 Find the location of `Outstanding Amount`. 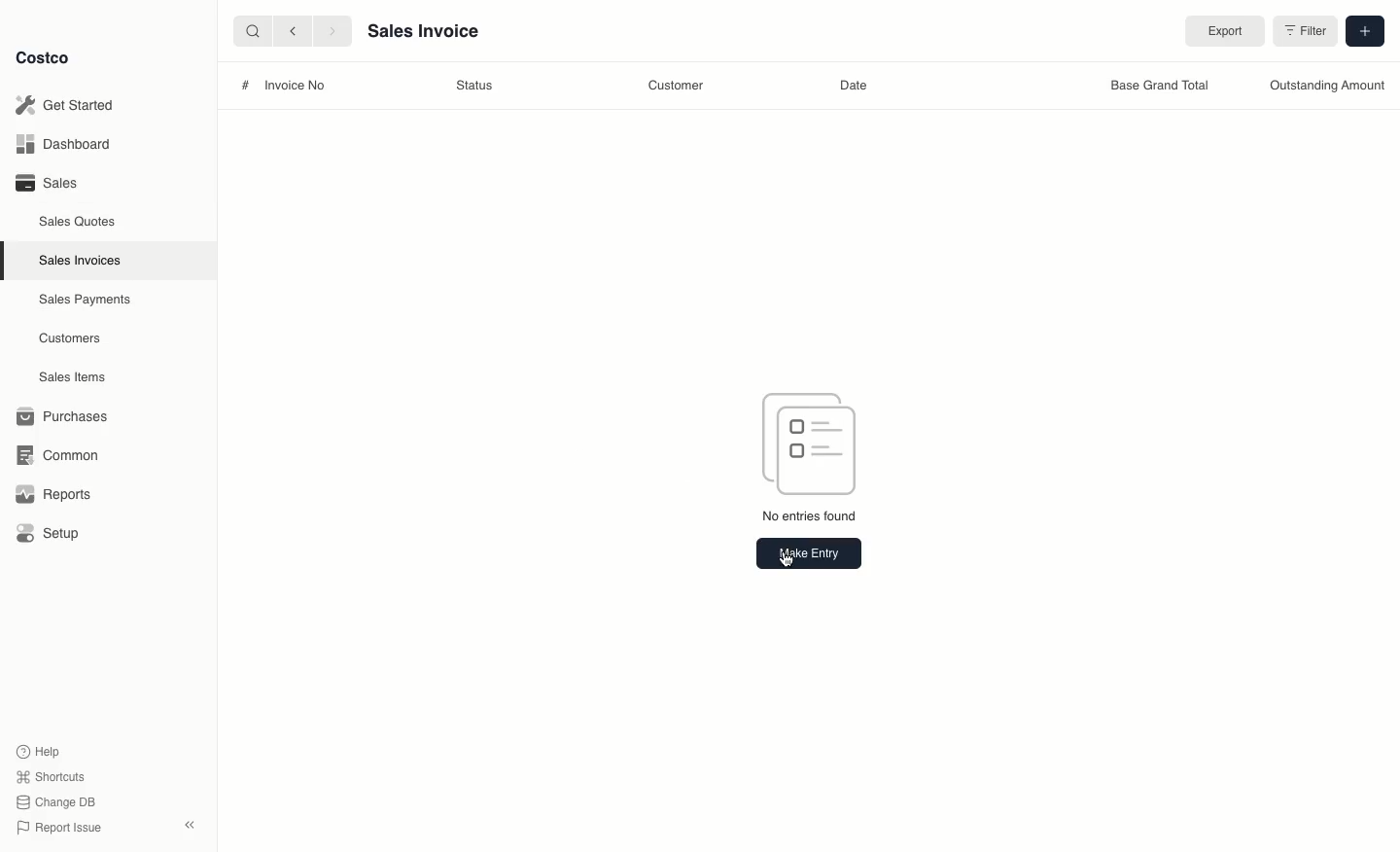

Outstanding Amount is located at coordinates (1326, 88).